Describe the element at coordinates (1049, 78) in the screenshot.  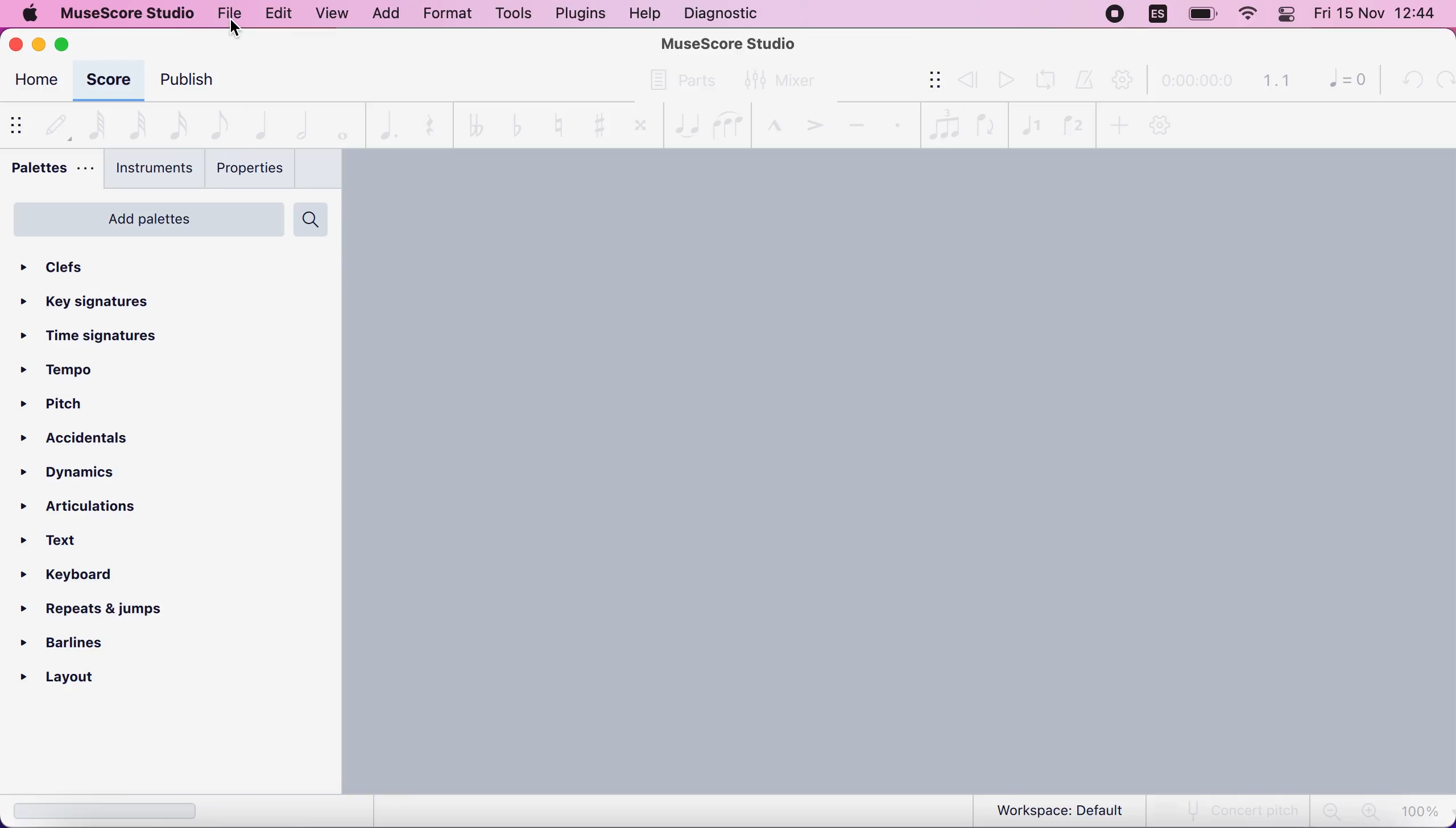
I see `playback loop` at that location.